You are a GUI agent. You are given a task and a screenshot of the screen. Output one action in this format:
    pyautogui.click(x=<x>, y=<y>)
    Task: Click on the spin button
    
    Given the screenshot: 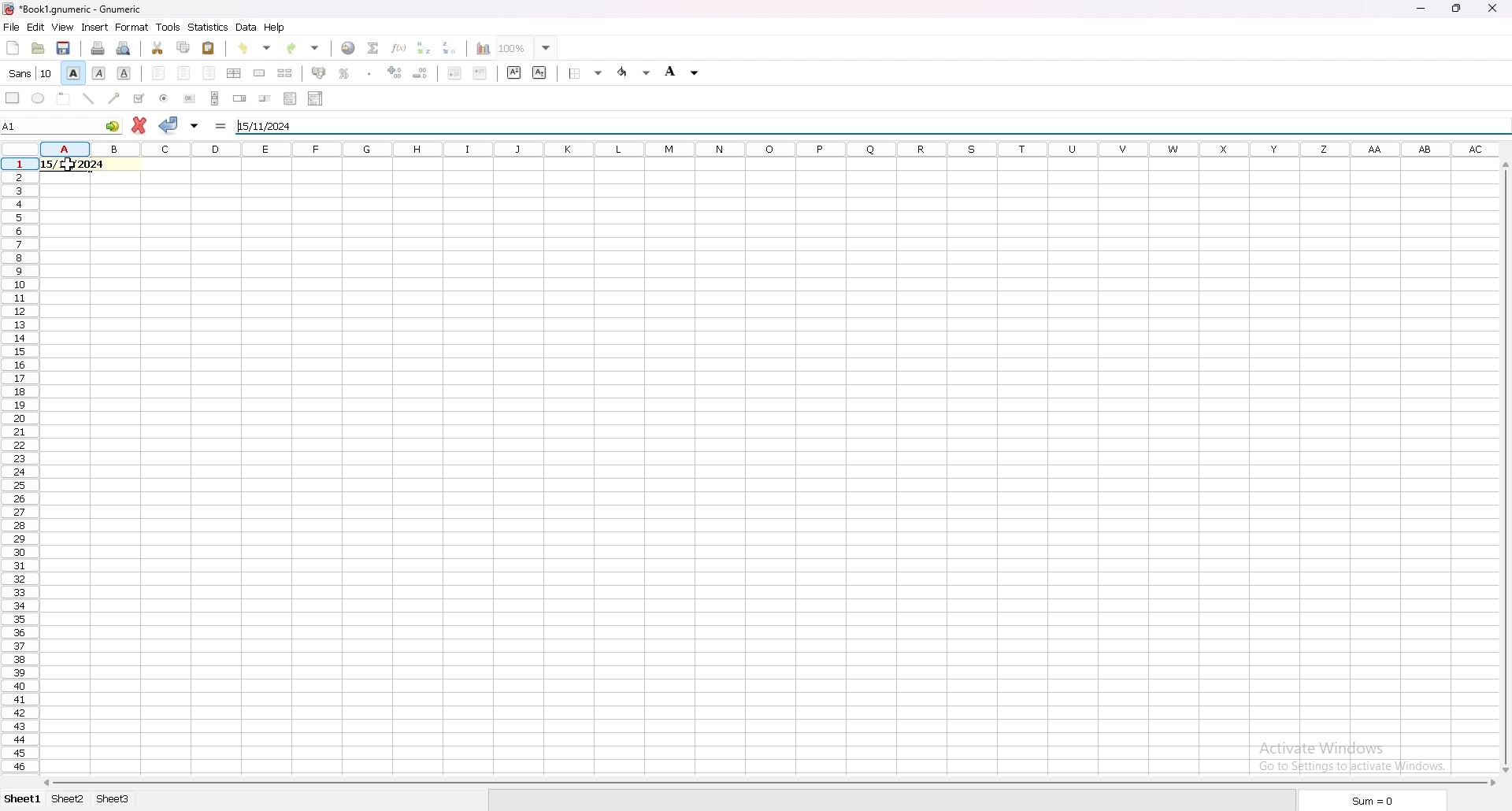 What is the action you would take?
    pyautogui.click(x=239, y=97)
    